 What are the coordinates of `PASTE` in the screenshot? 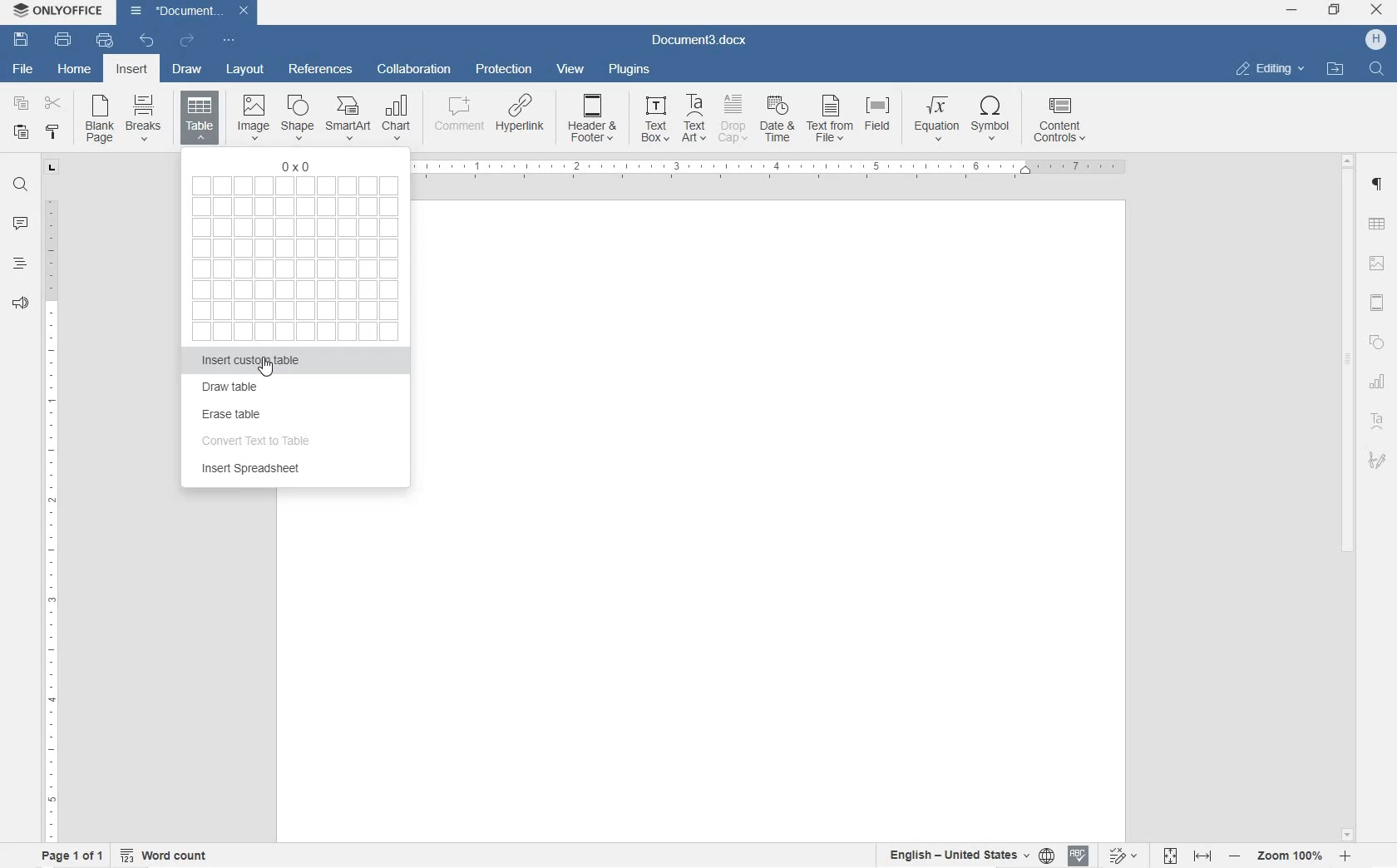 It's located at (25, 133).